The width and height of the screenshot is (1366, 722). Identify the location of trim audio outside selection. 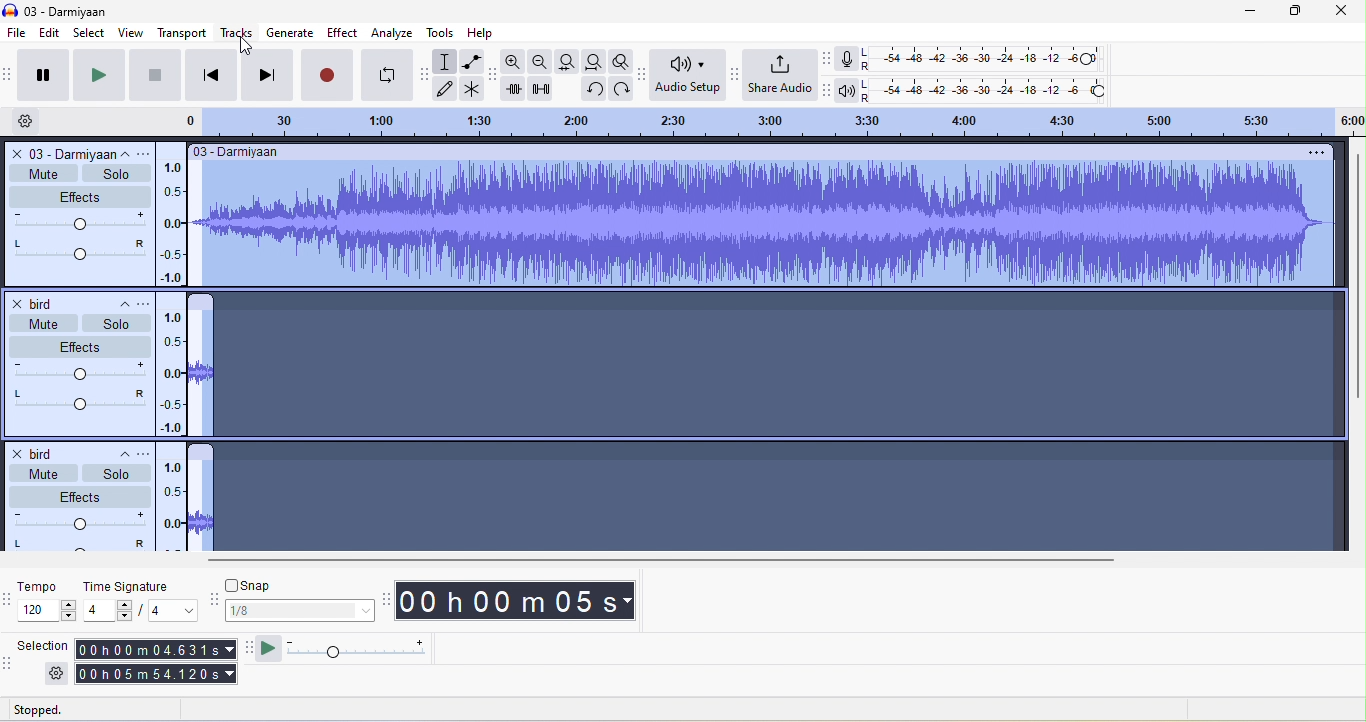
(516, 89).